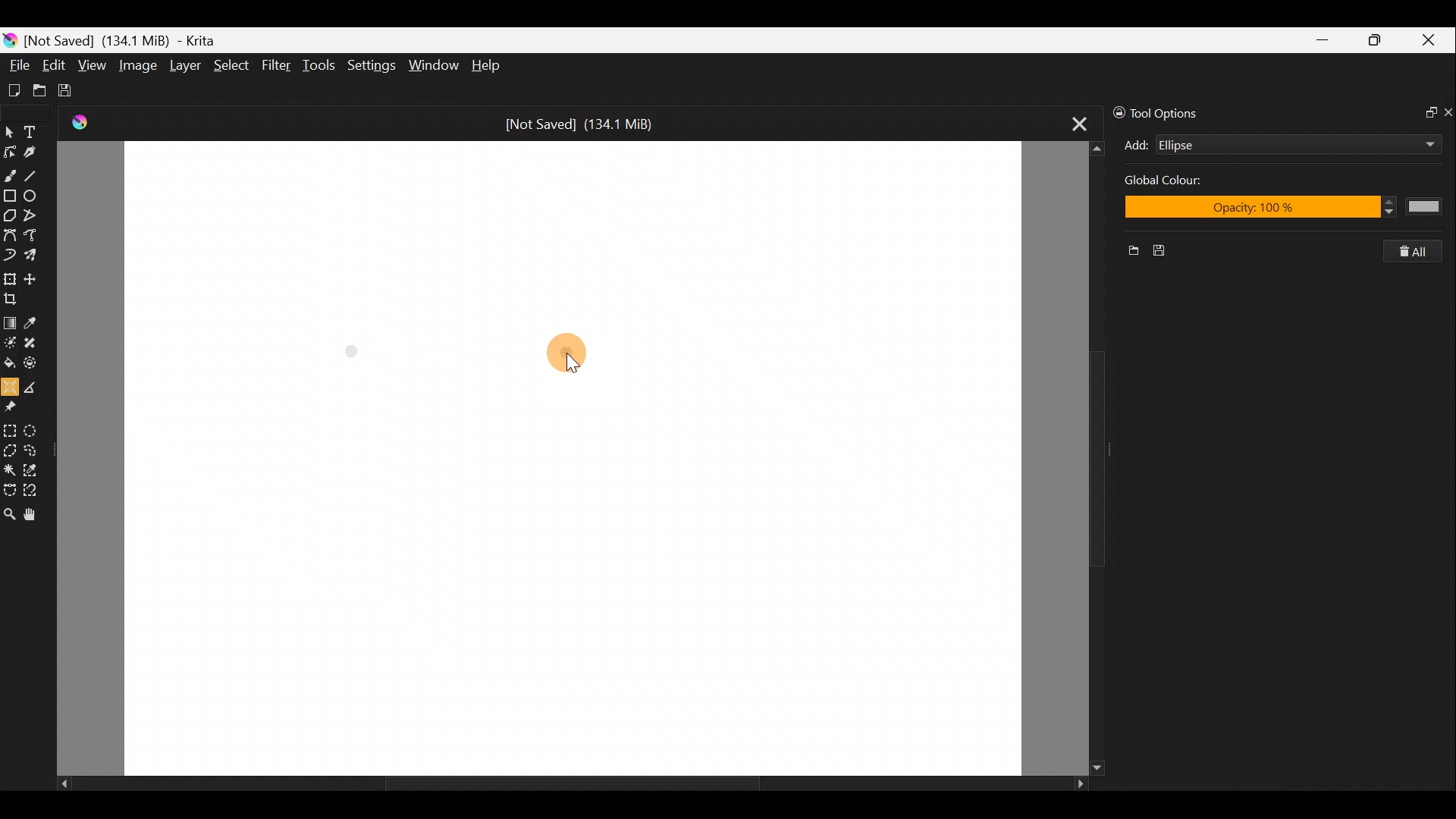 This screenshot has height=819, width=1456. Describe the element at coordinates (38, 428) in the screenshot. I see `Elliptical selection tool` at that location.